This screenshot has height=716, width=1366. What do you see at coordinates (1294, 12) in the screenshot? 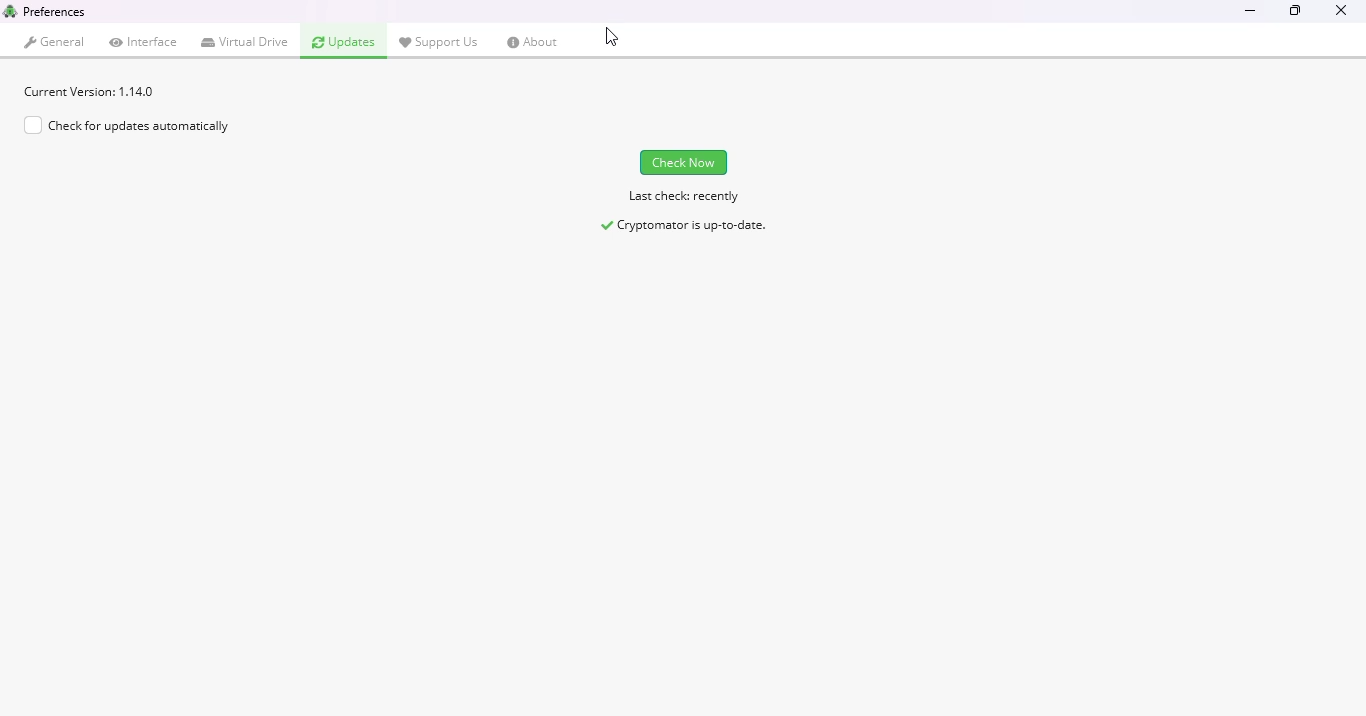
I see `maximize` at bounding box center [1294, 12].